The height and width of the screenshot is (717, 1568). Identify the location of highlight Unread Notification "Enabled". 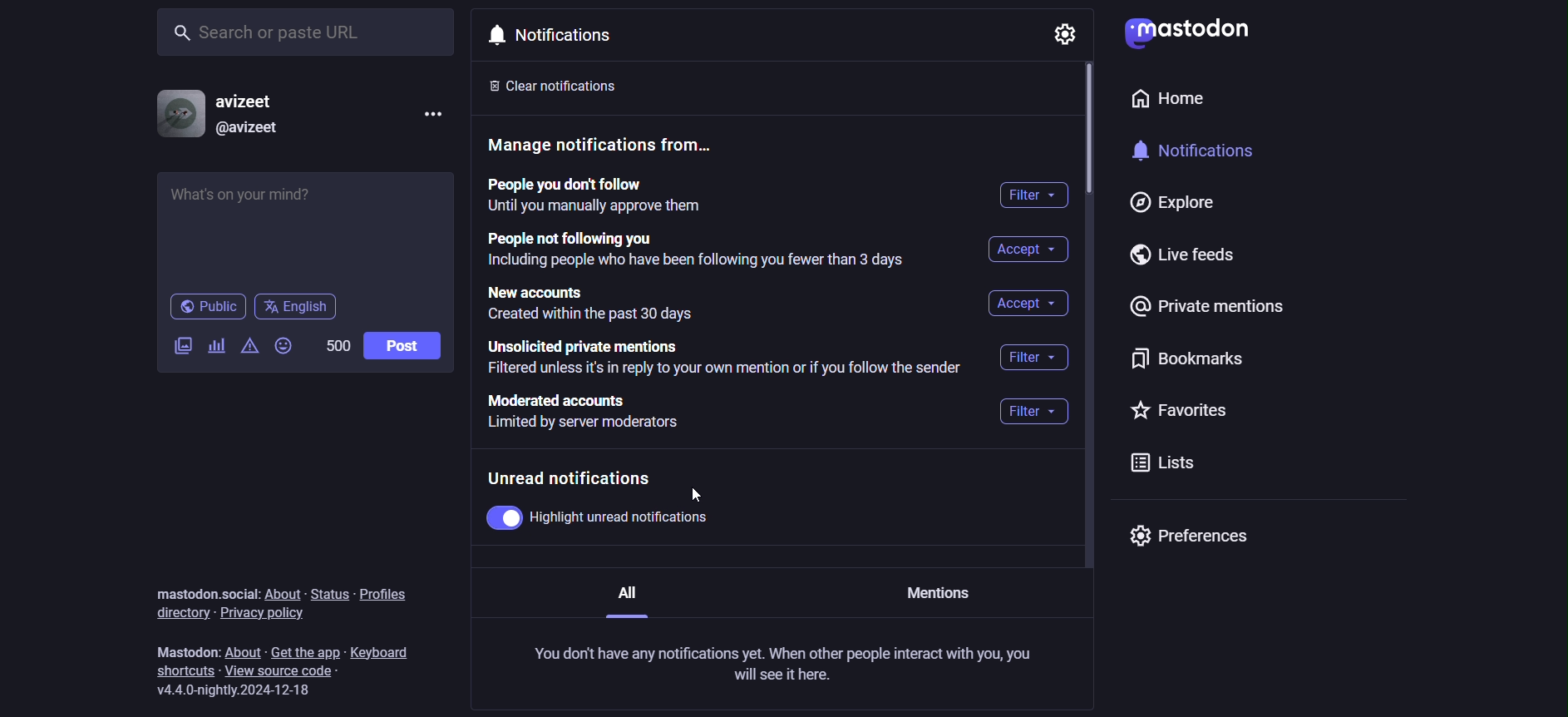
(602, 516).